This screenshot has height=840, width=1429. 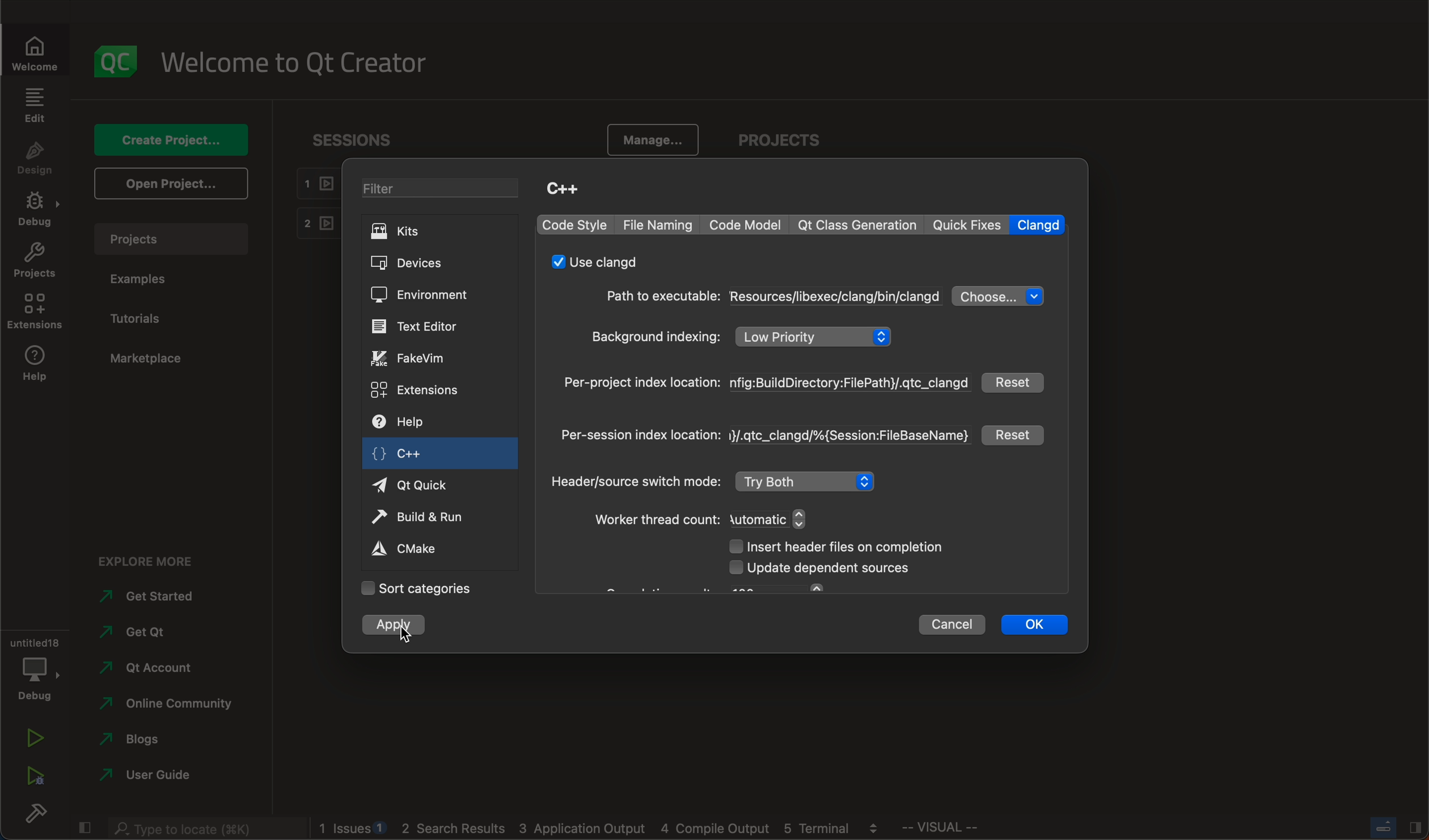 What do you see at coordinates (413, 420) in the screenshot?
I see `help` at bounding box center [413, 420].